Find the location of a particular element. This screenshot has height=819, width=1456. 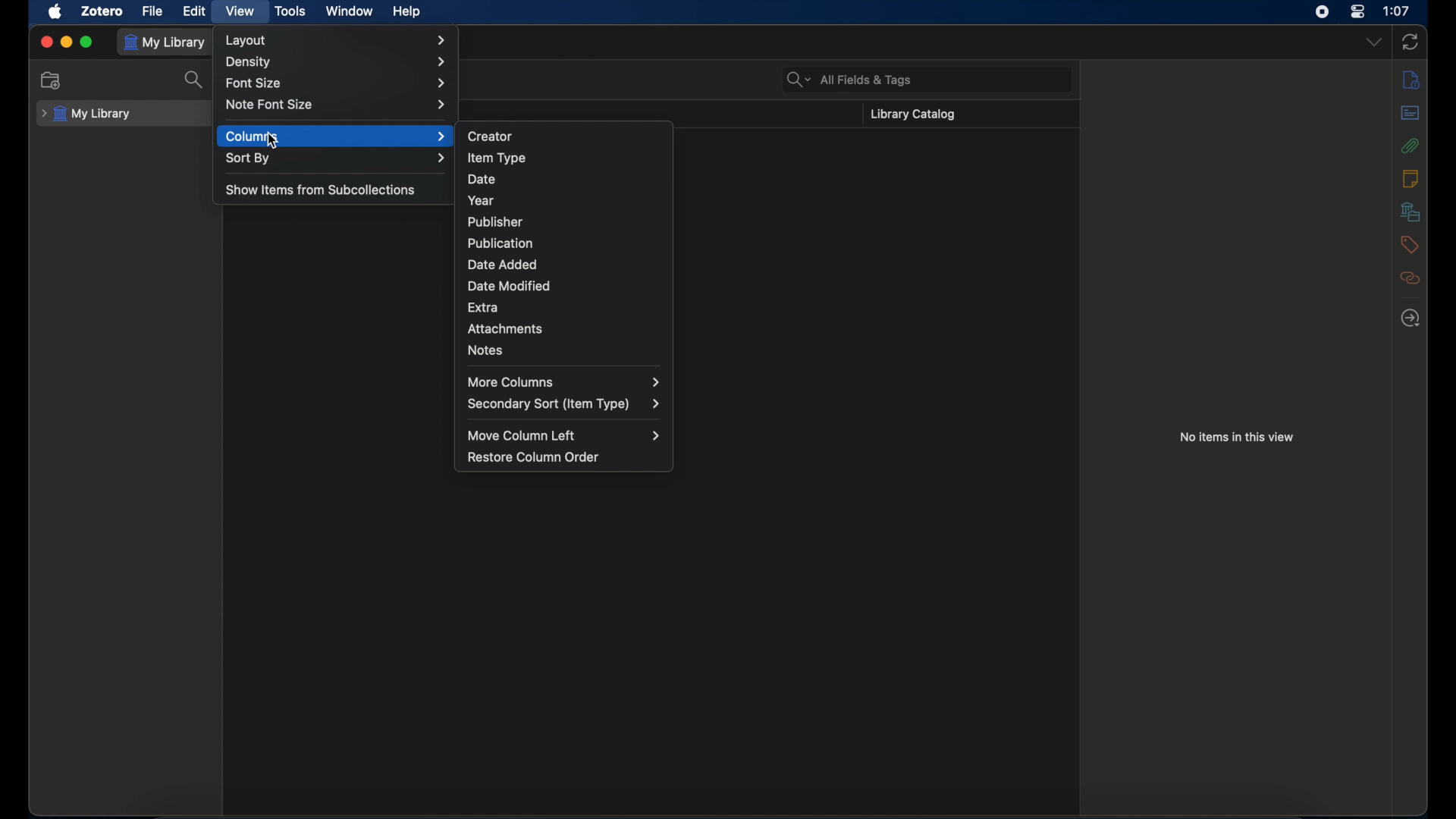

extra is located at coordinates (483, 307).